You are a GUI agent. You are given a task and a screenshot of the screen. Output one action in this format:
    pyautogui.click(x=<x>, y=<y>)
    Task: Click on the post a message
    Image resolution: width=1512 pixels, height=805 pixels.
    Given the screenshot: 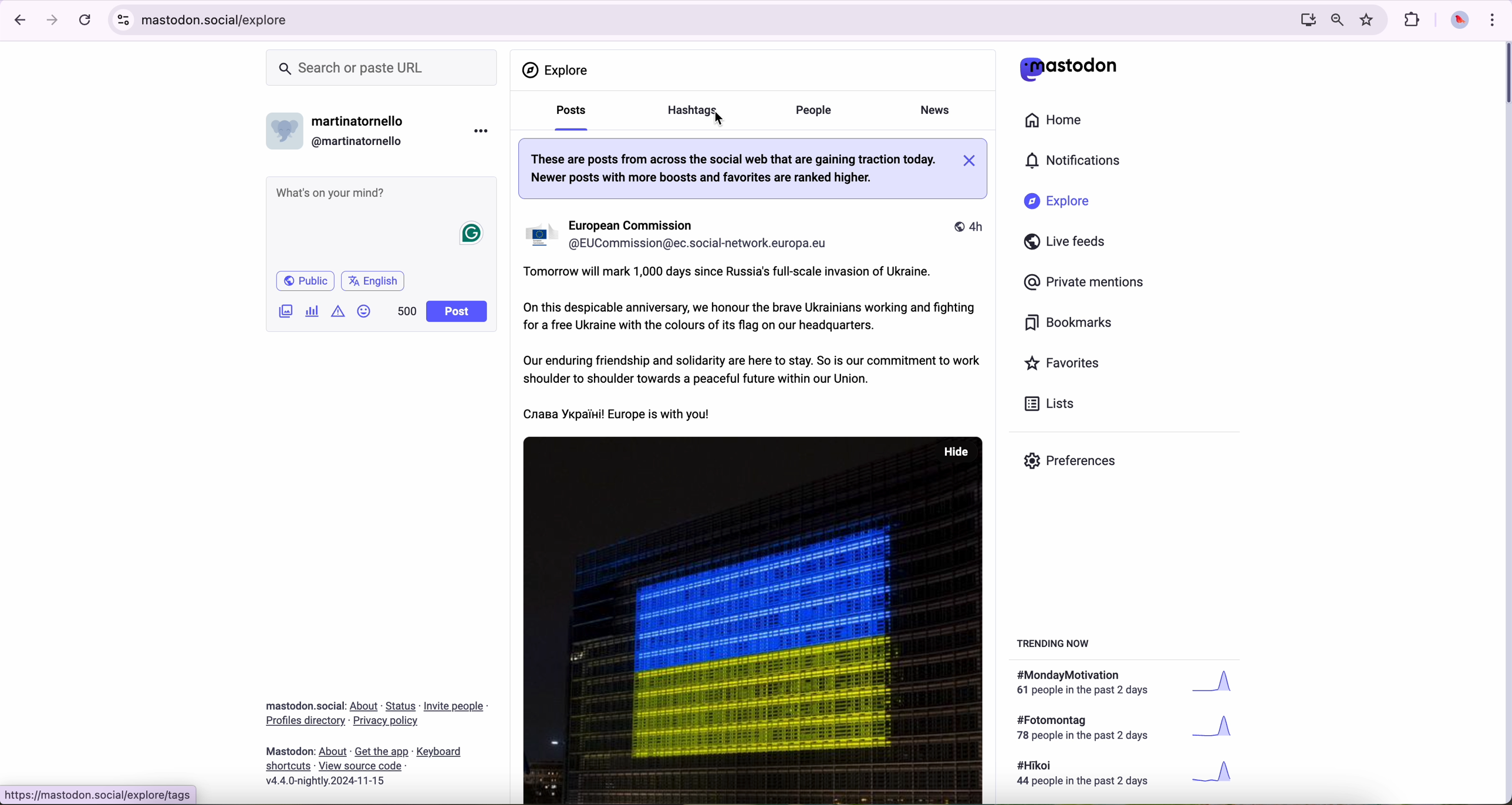 What is the action you would take?
    pyautogui.click(x=383, y=194)
    